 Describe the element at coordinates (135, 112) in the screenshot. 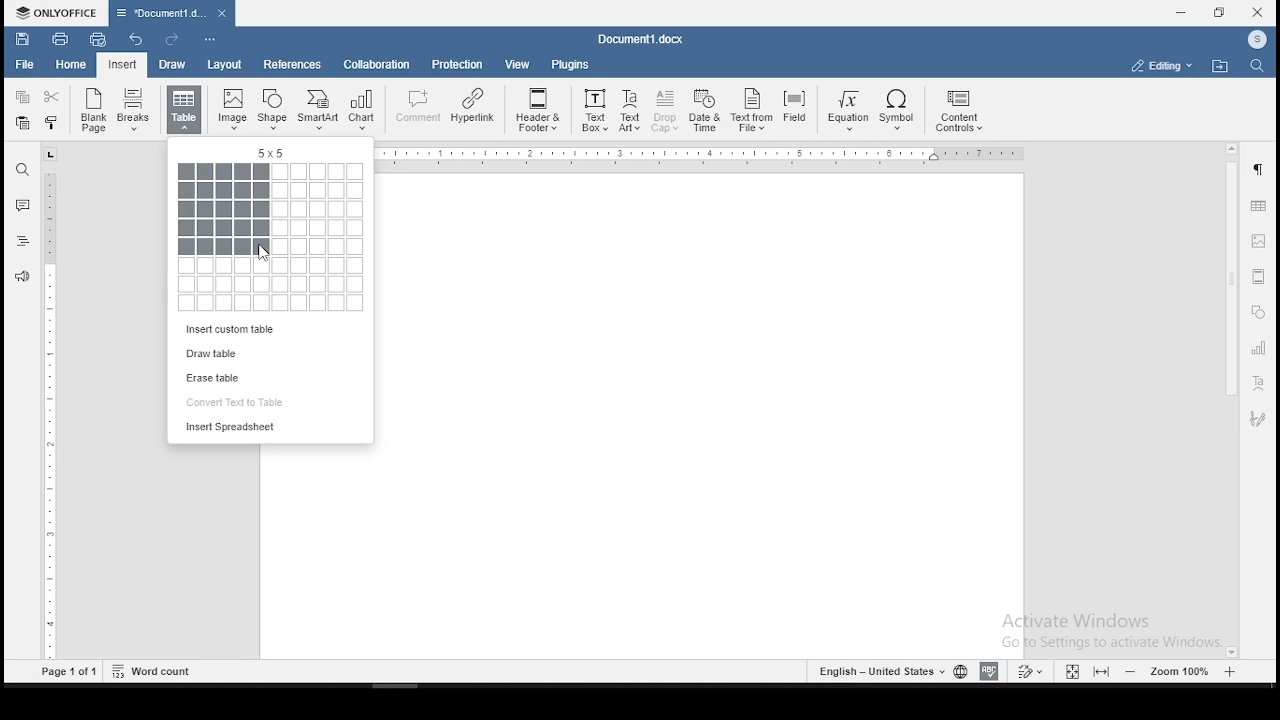

I see `Breaks` at that location.